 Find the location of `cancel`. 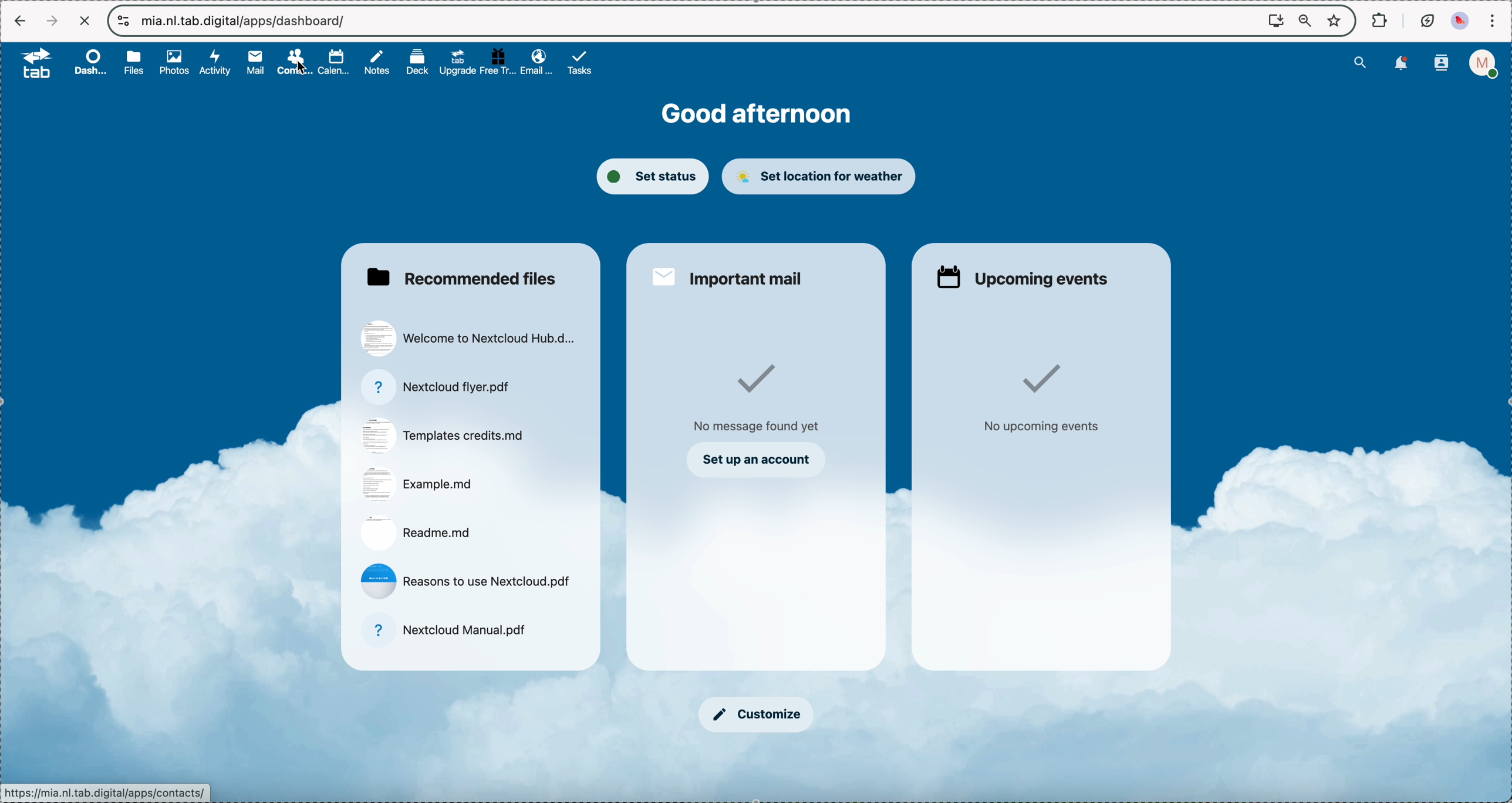

cancel is located at coordinates (86, 21).